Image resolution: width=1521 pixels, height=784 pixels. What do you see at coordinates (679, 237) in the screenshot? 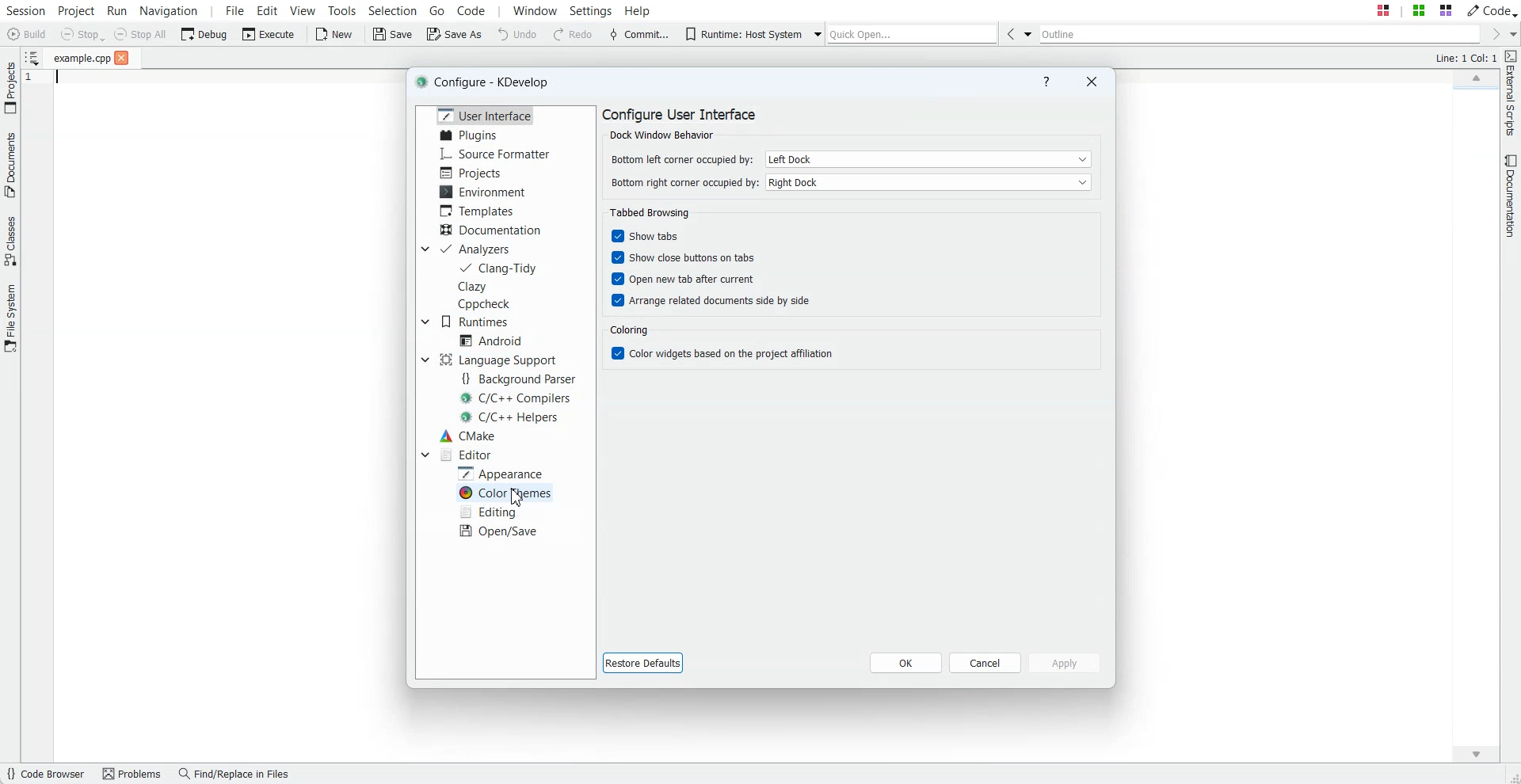
I see `Enable Show tabs` at bounding box center [679, 237].